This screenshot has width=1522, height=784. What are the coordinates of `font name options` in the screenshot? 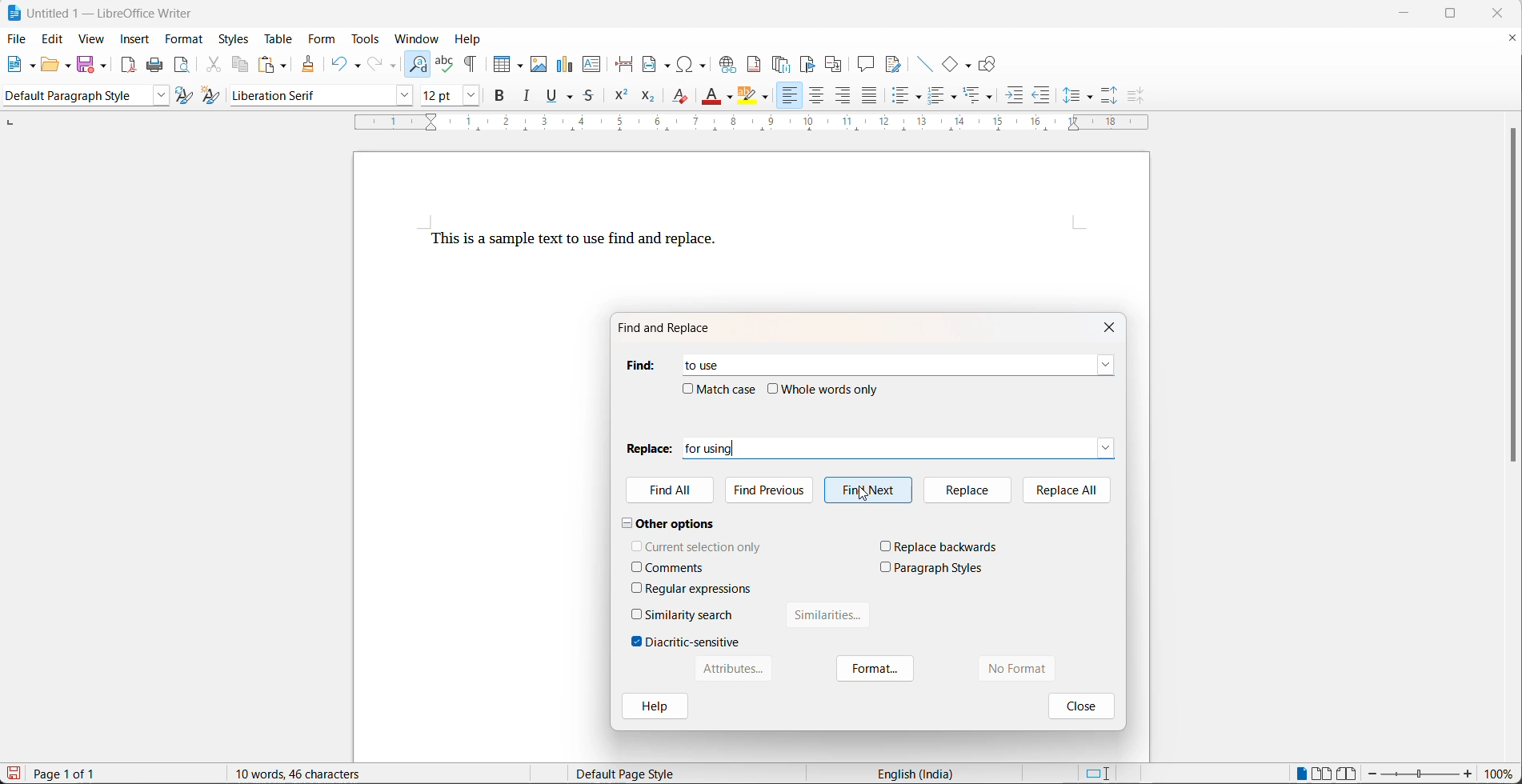 It's located at (401, 96).